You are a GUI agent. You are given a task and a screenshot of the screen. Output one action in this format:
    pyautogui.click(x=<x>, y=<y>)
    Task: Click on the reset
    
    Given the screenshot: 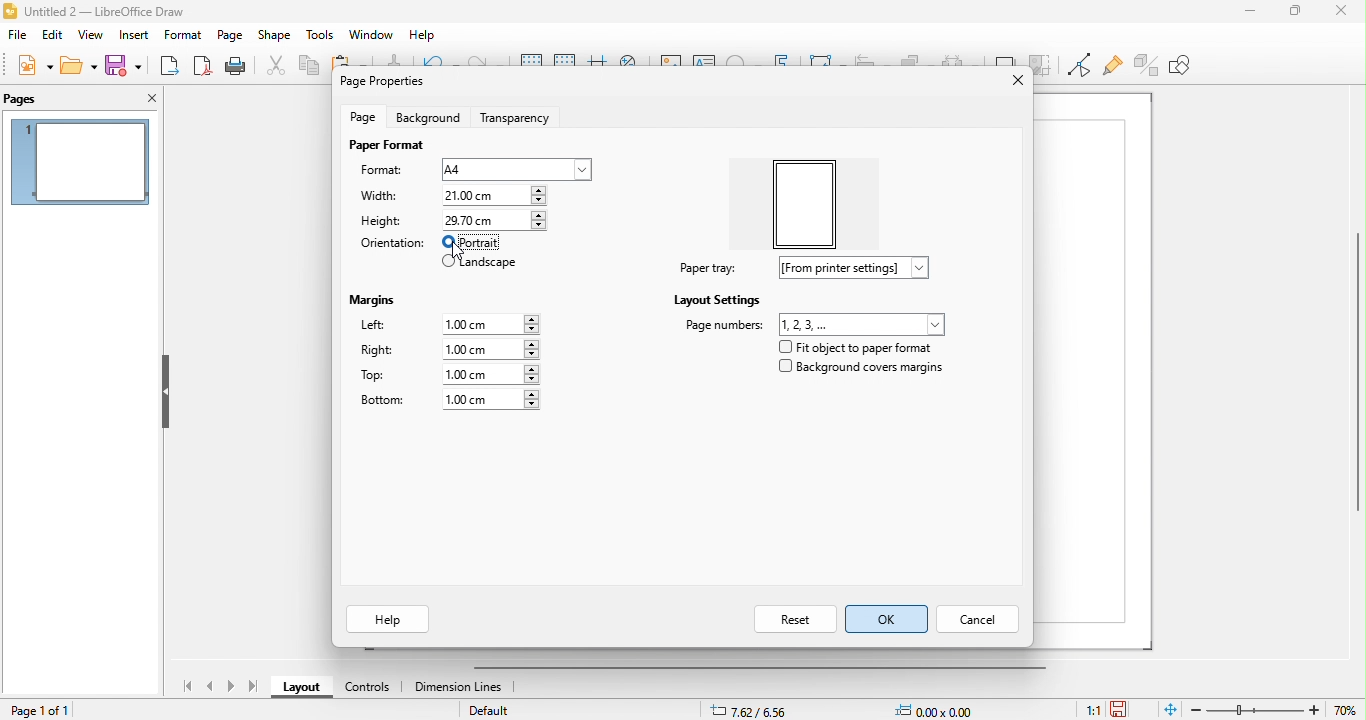 What is the action you would take?
    pyautogui.click(x=777, y=619)
    